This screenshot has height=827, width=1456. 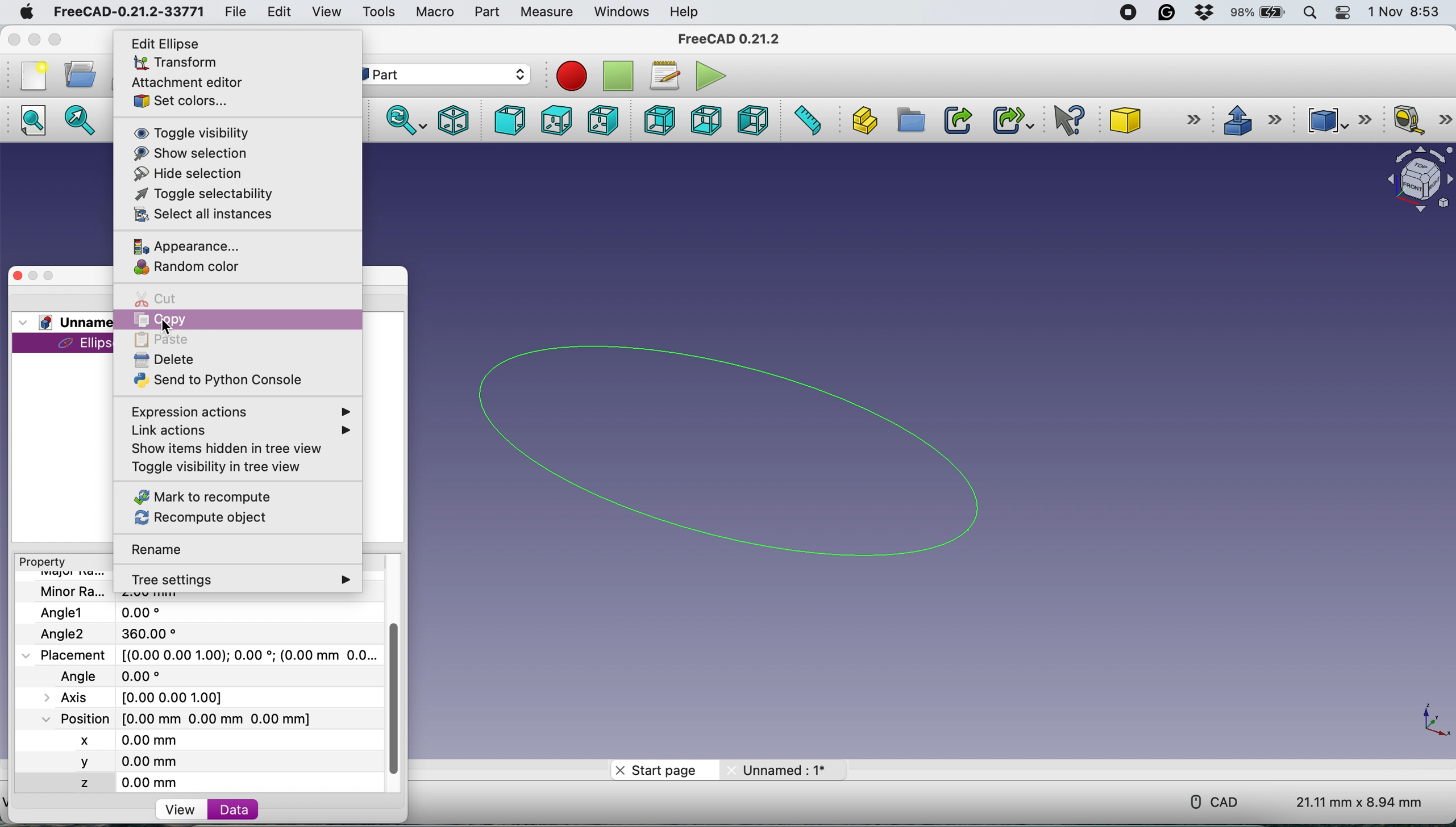 I want to click on fit selection, so click(x=80, y=120).